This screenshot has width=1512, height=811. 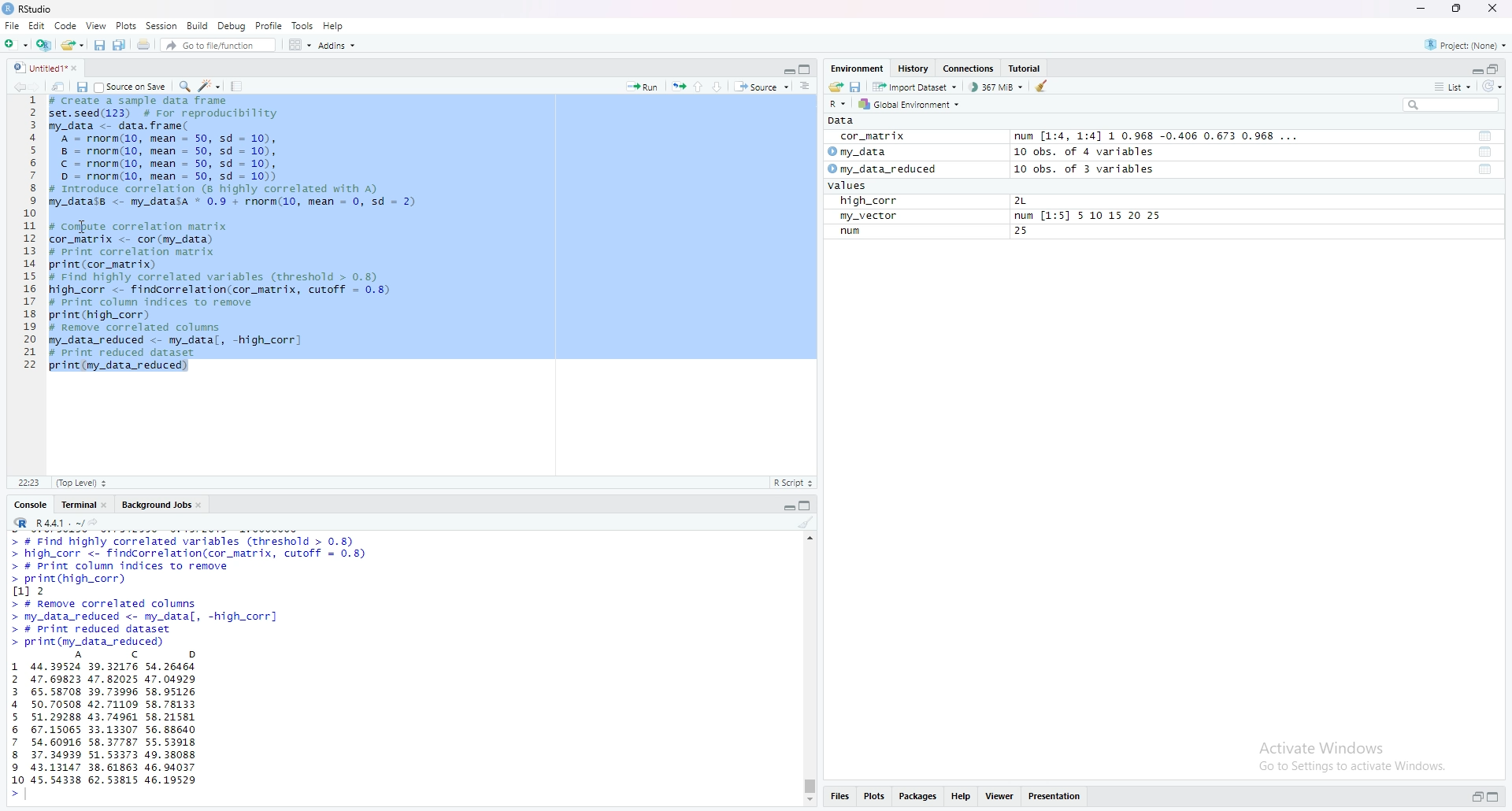 What do you see at coordinates (786, 508) in the screenshot?
I see `Collapse` at bounding box center [786, 508].